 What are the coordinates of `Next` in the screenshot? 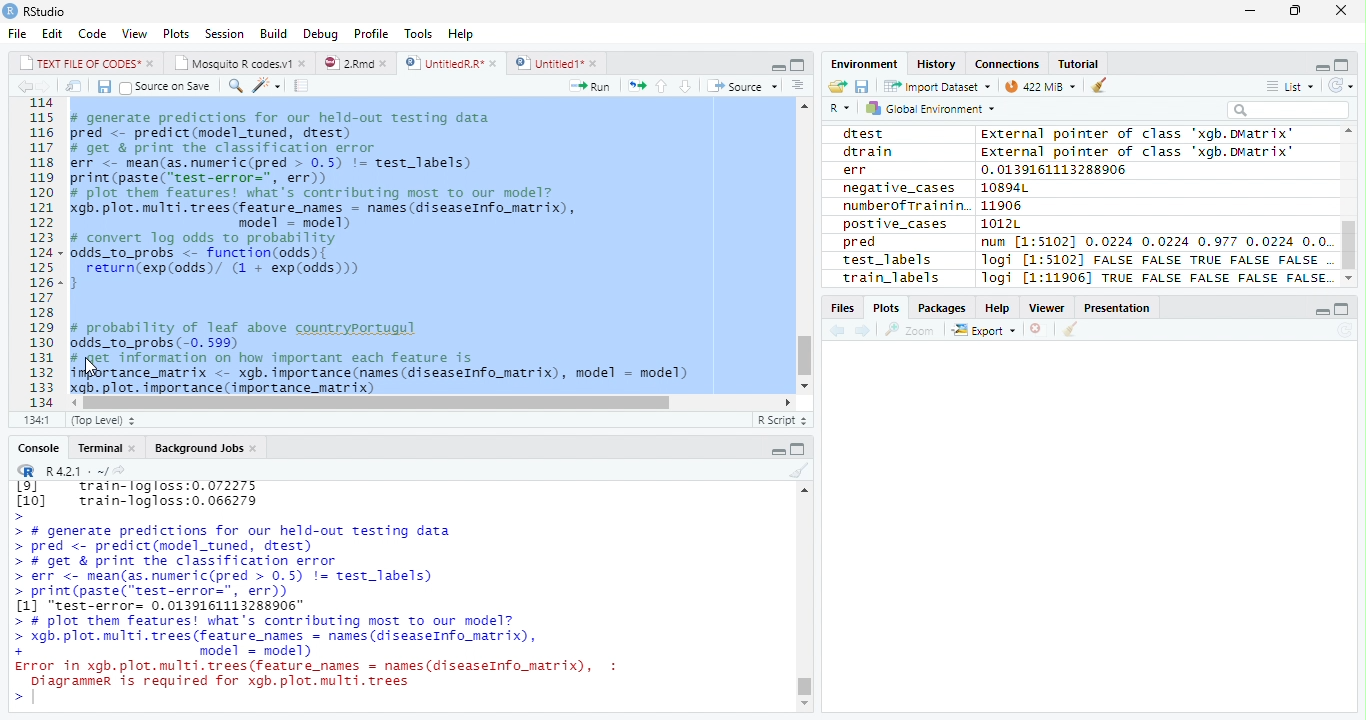 It's located at (862, 331).